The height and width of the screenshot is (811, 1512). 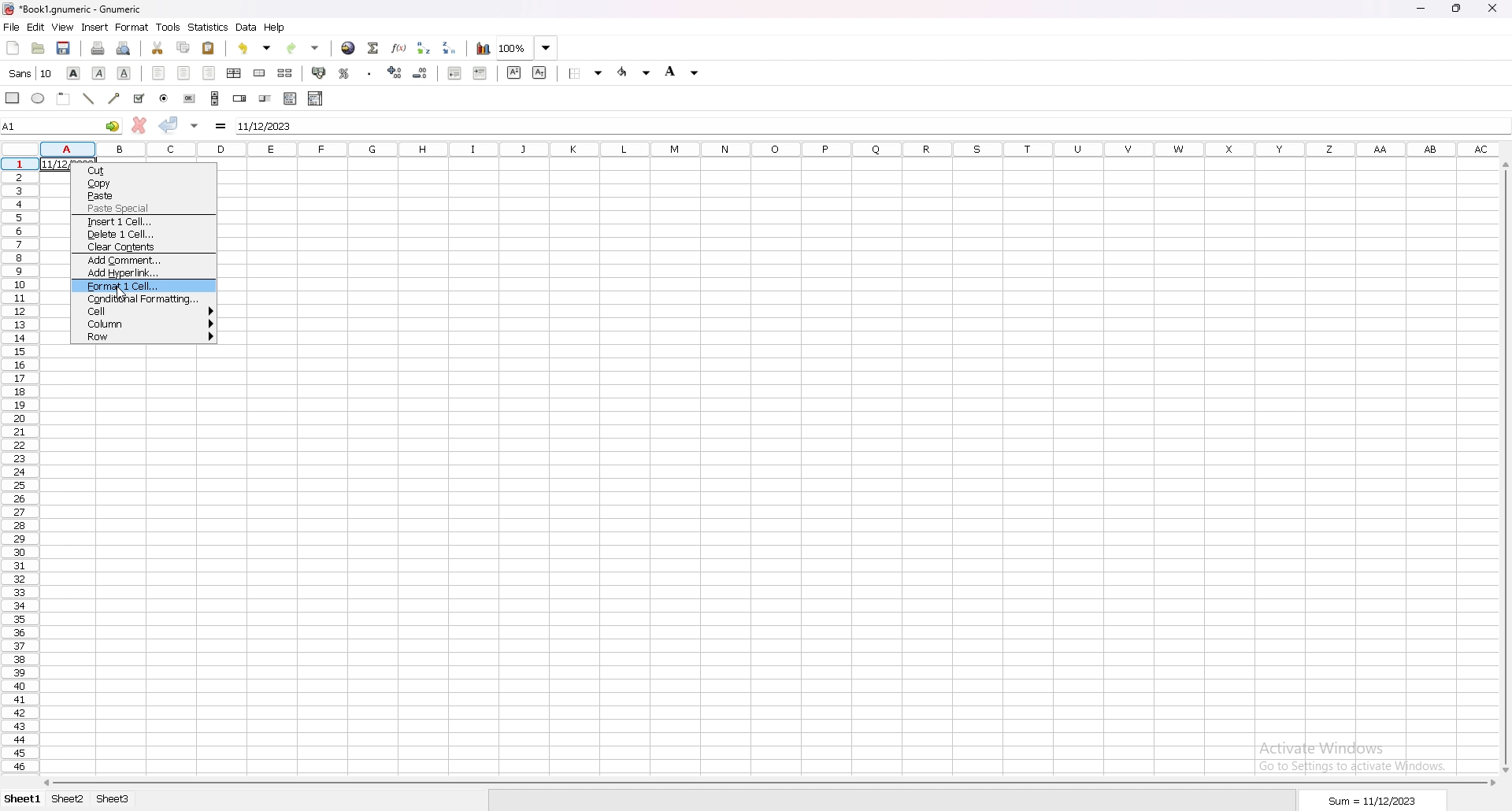 What do you see at coordinates (124, 73) in the screenshot?
I see `underline` at bounding box center [124, 73].